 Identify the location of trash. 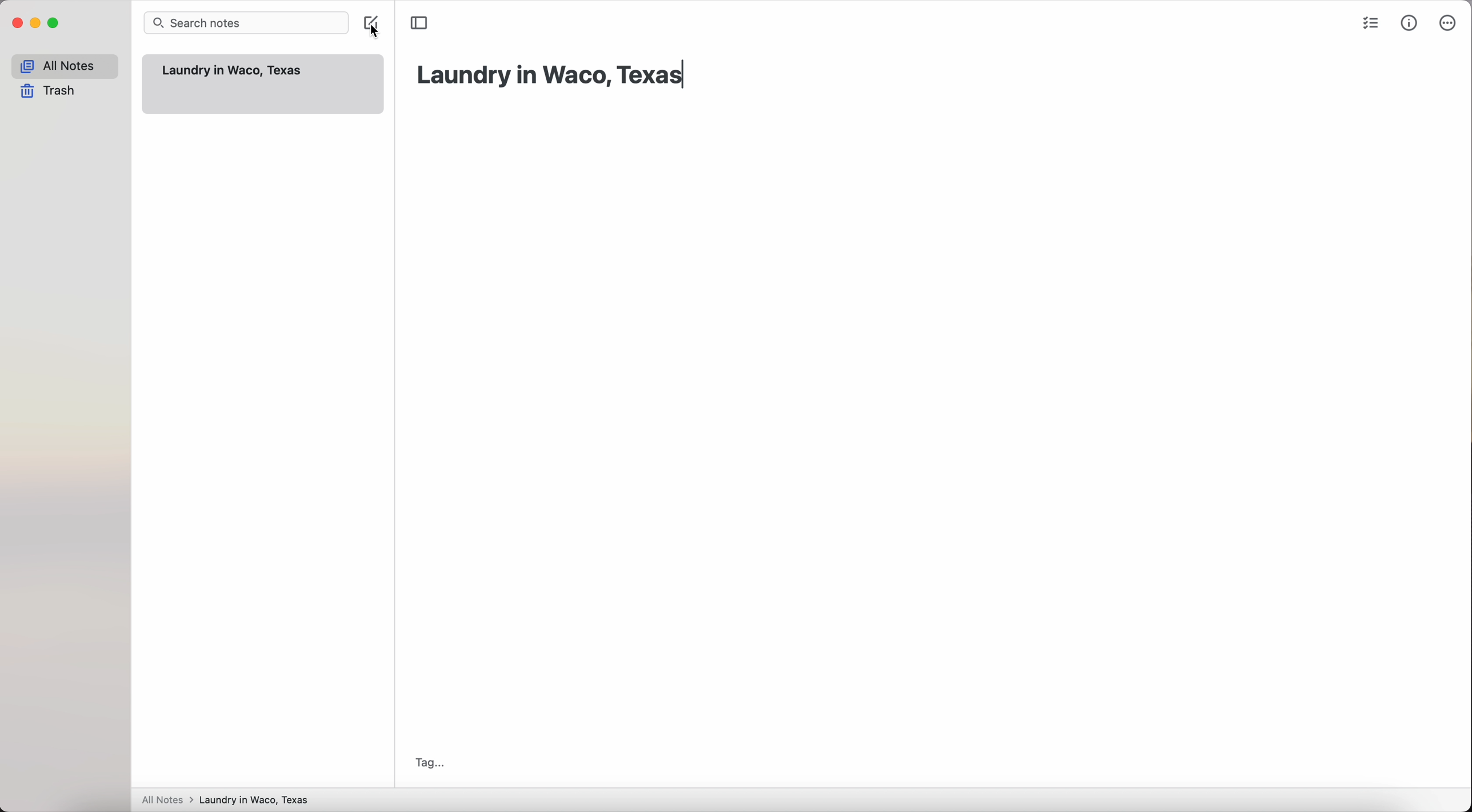
(51, 92).